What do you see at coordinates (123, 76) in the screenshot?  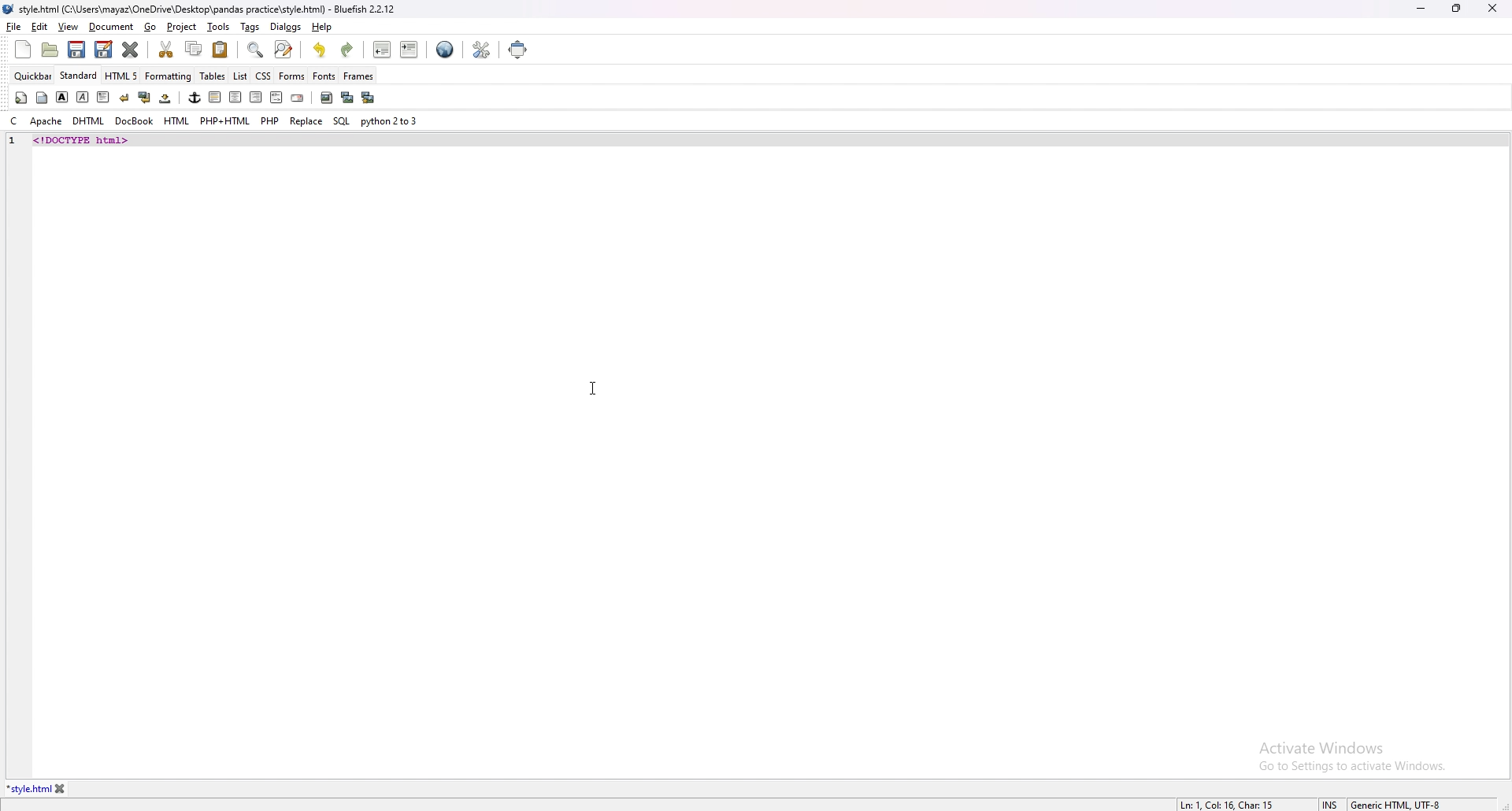 I see `html 5` at bounding box center [123, 76].